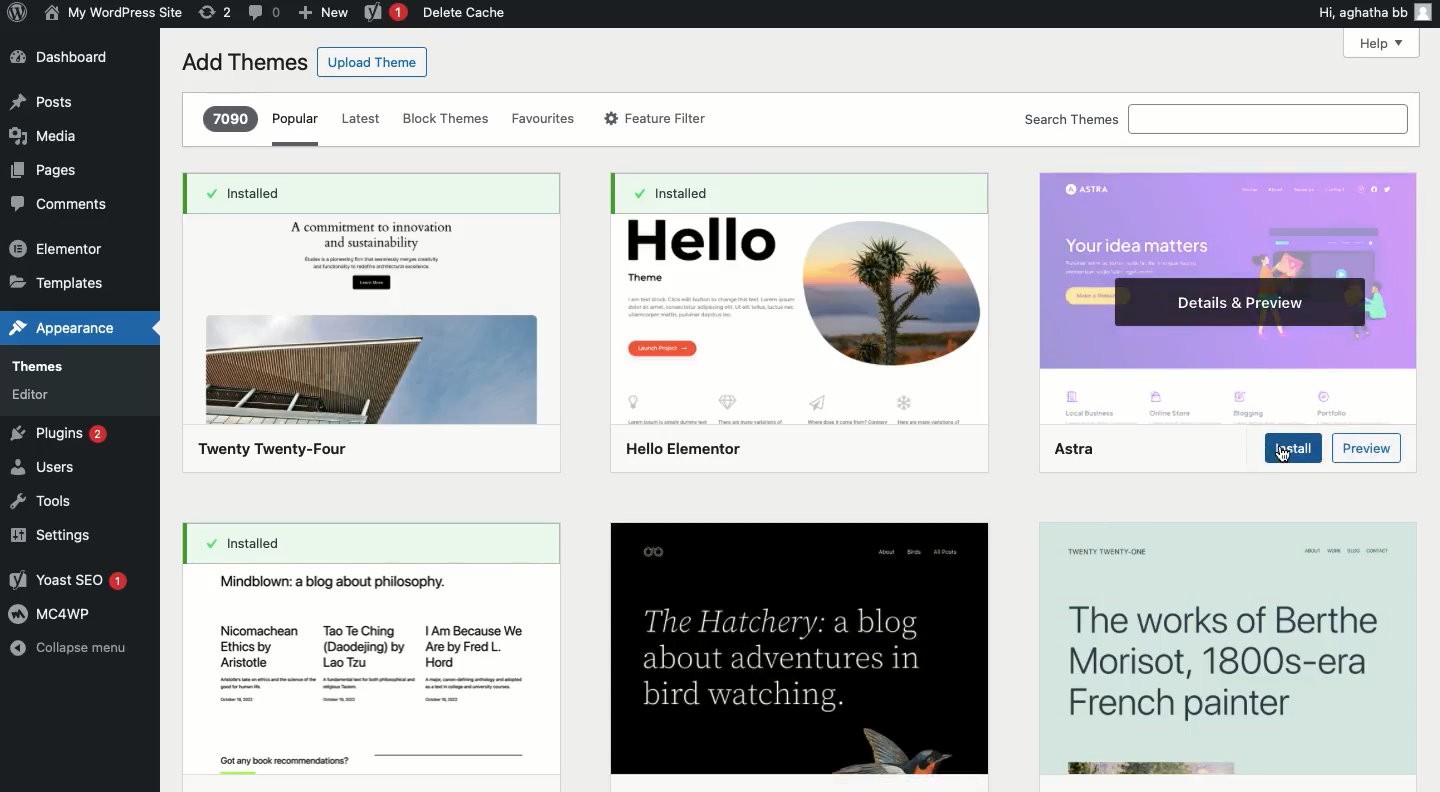 The height and width of the screenshot is (792, 1440). I want to click on Media, so click(49, 133).